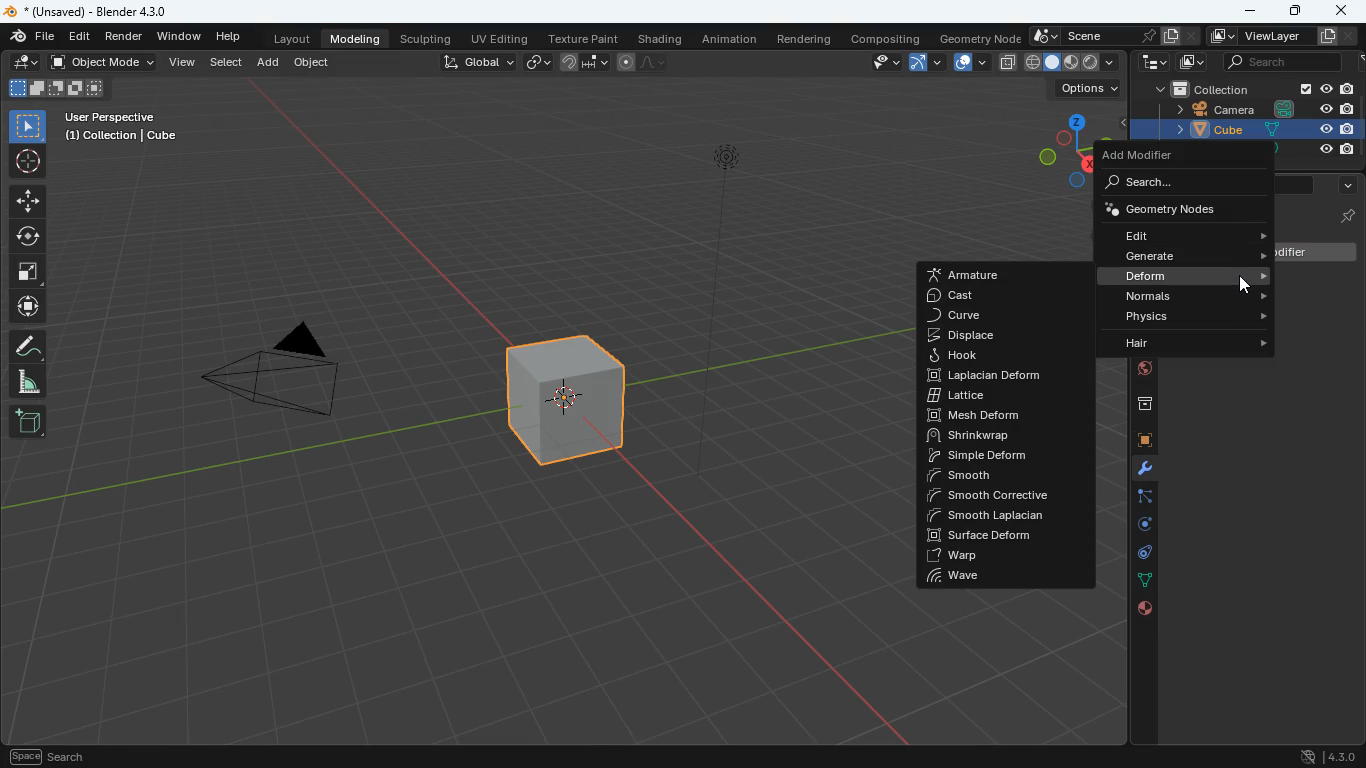 This screenshot has height=768, width=1366. What do you see at coordinates (878, 63) in the screenshot?
I see `view` at bounding box center [878, 63].